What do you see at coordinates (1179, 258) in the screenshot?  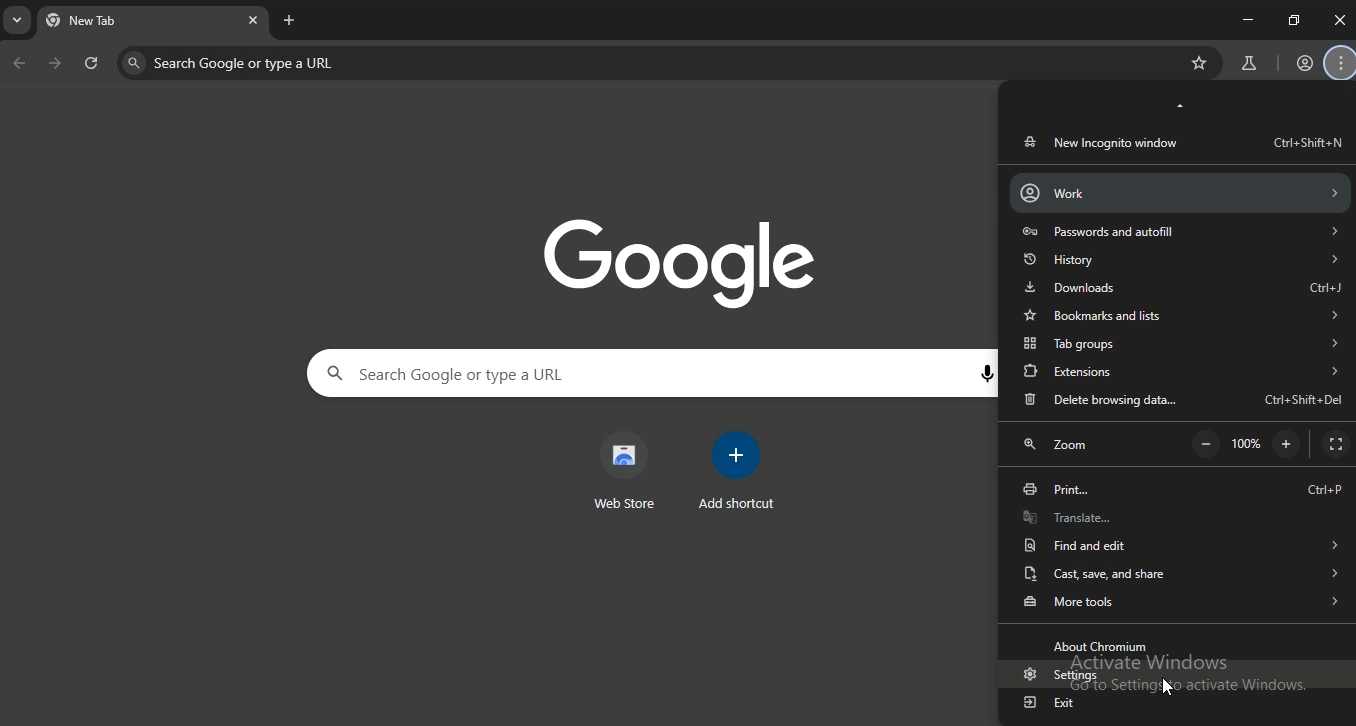 I see `history` at bounding box center [1179, 258].